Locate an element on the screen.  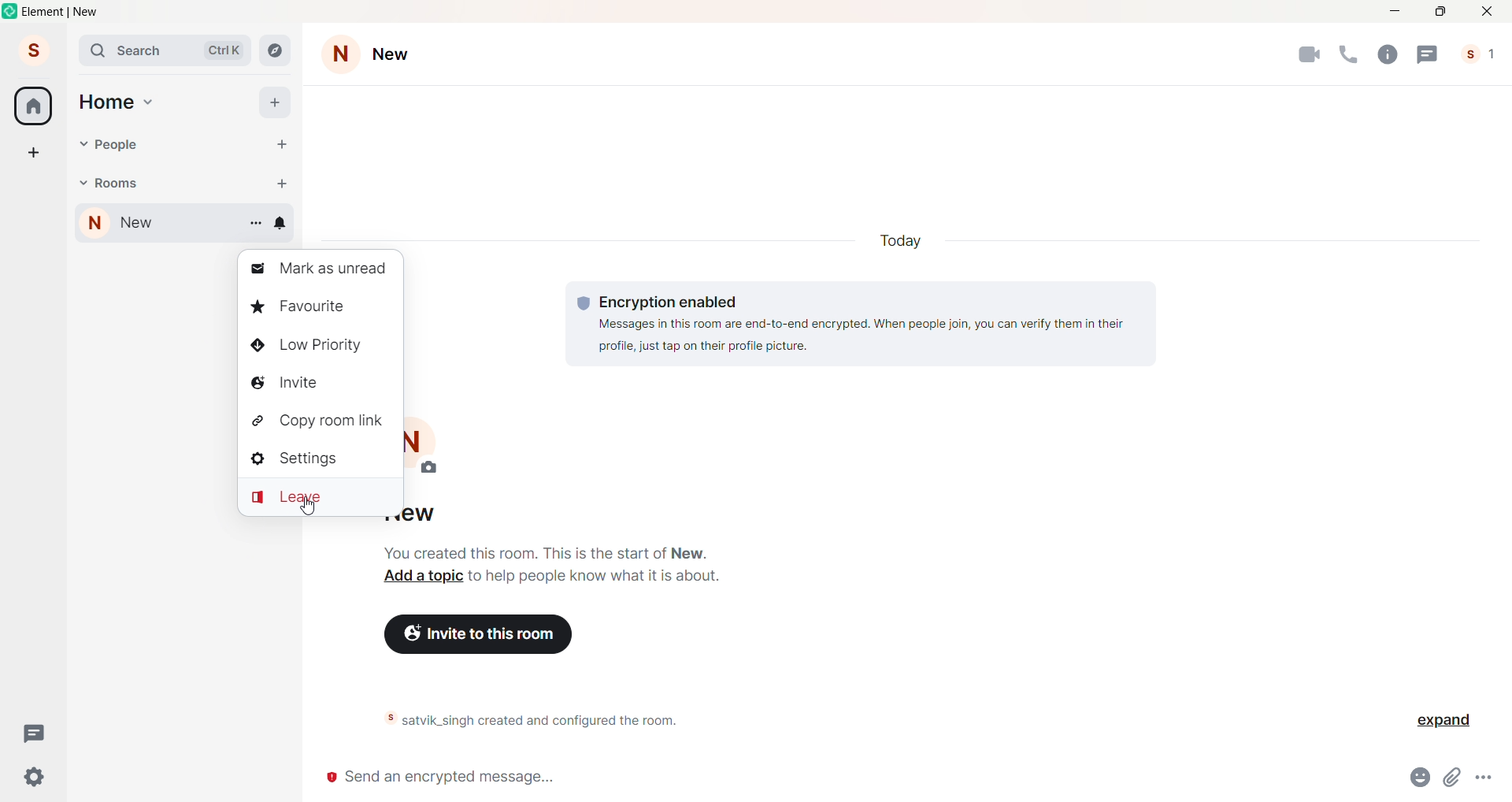
Start Chat is located at coordinates (283, 145).